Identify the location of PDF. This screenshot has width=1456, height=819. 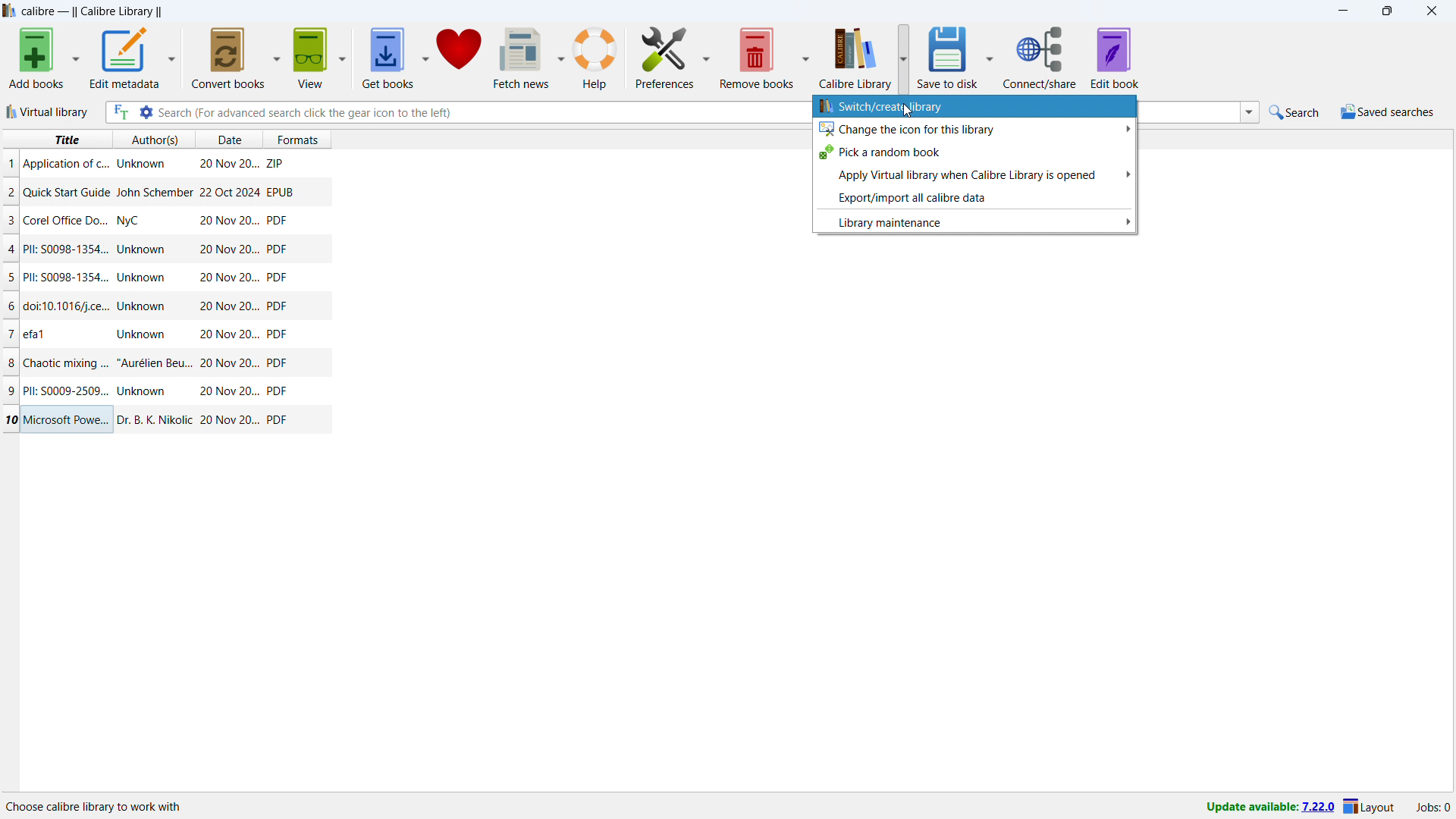
(278, 419).